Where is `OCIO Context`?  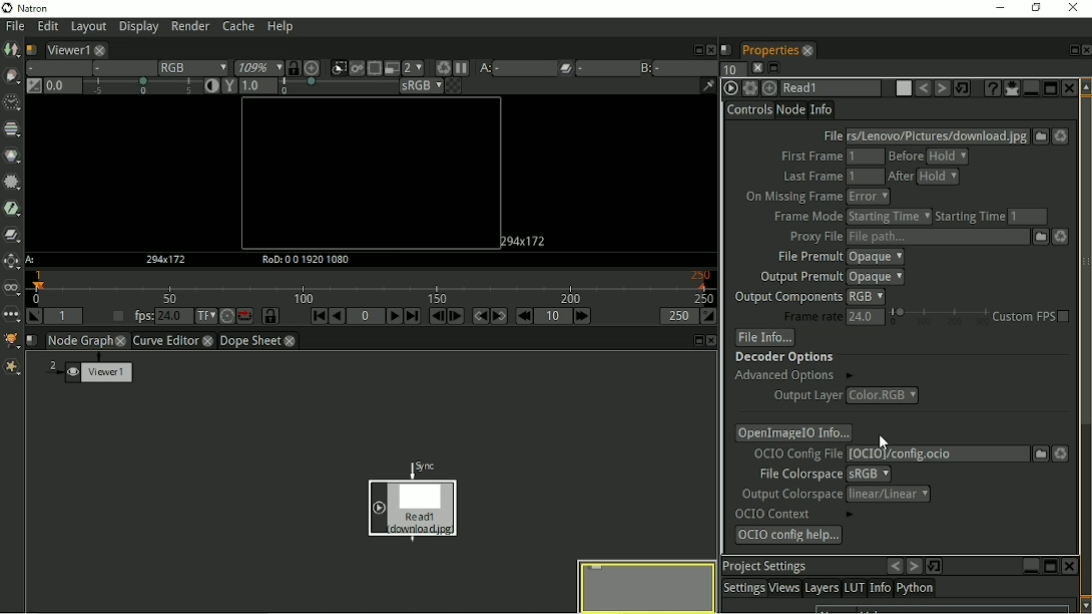
OCIO Context is located at coordinates (795, 514).